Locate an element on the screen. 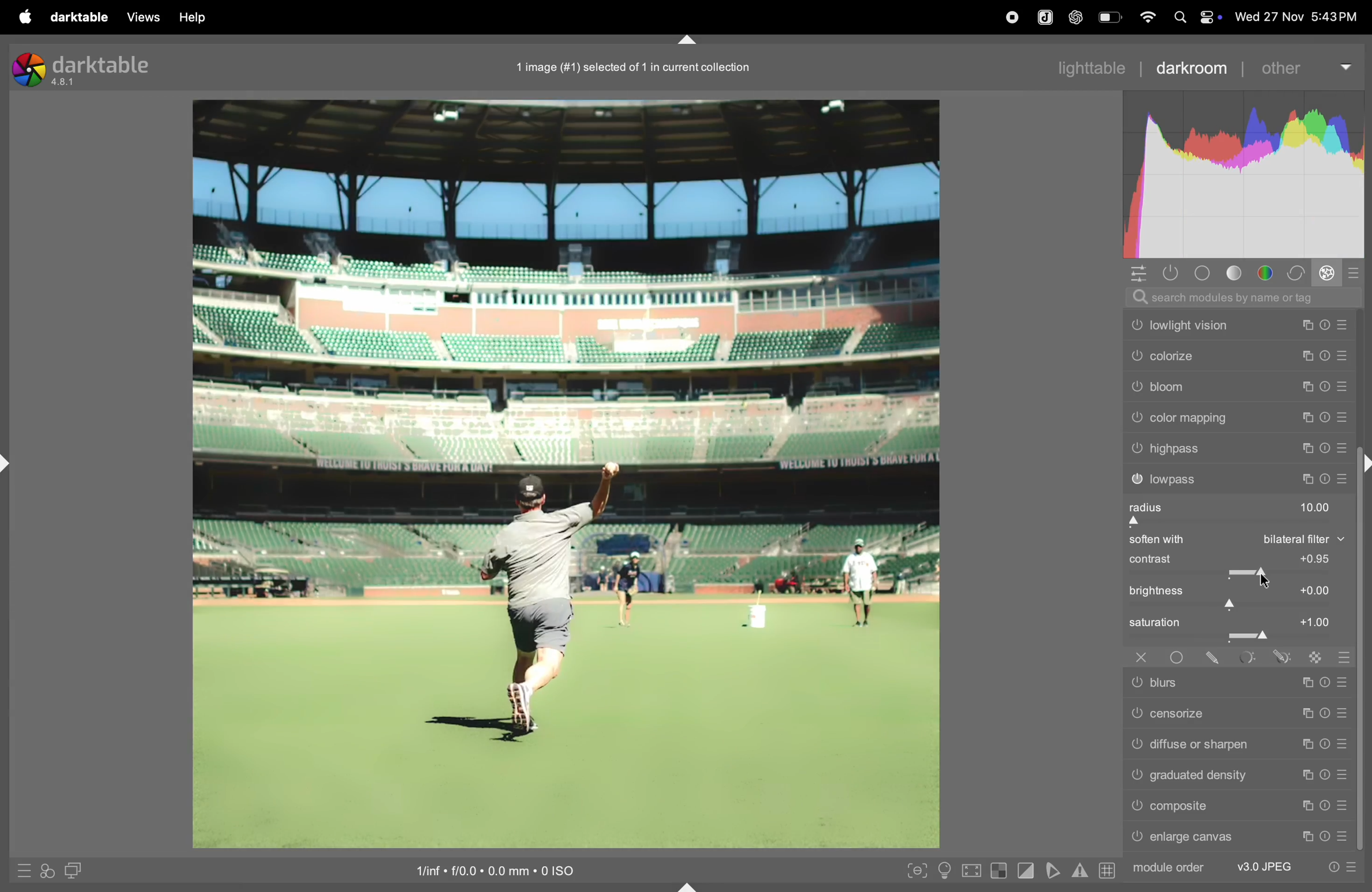  show active modules is located at coordinates (1168, 273).